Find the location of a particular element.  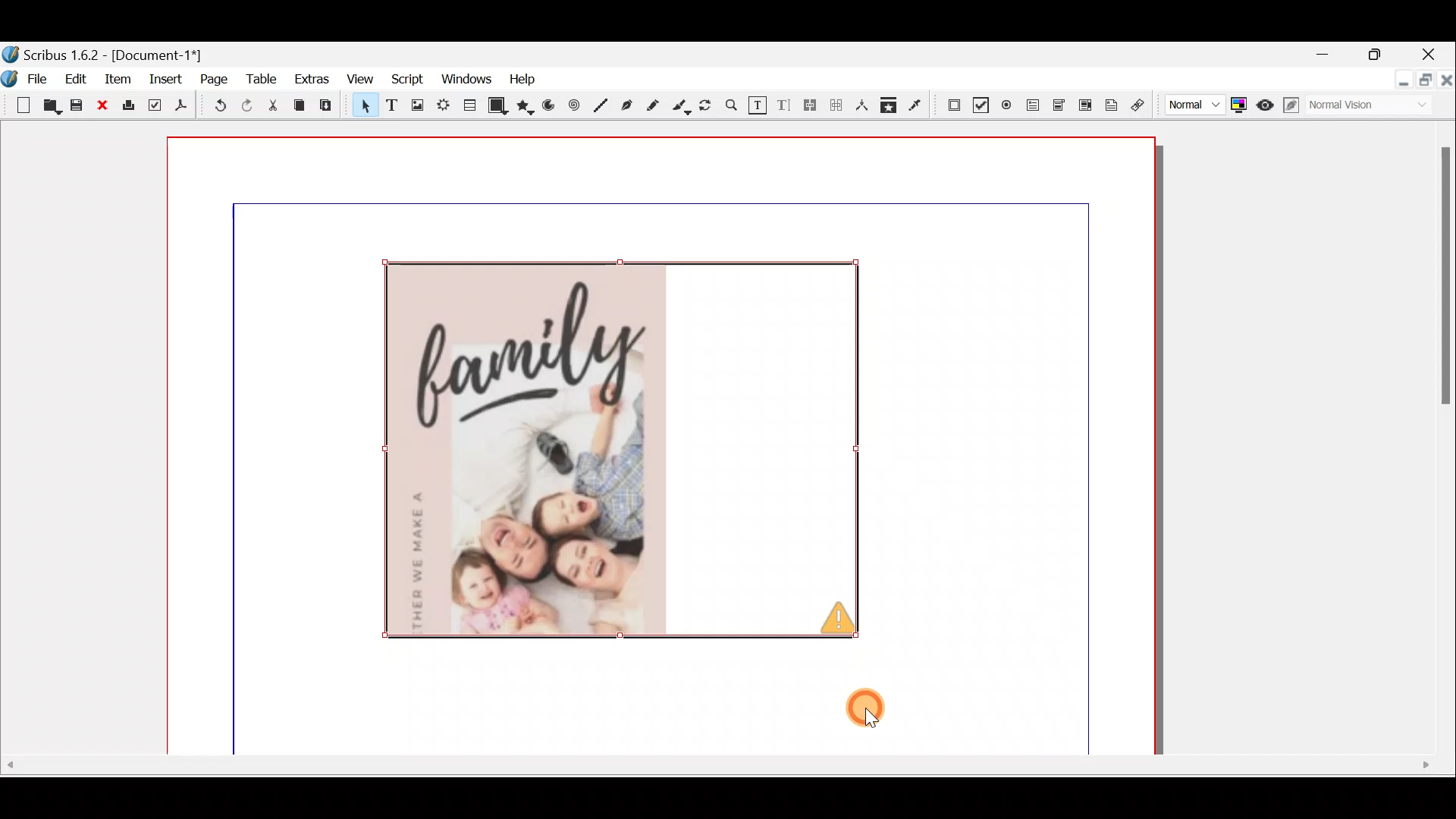

Line is located at coordinates (601, 106).